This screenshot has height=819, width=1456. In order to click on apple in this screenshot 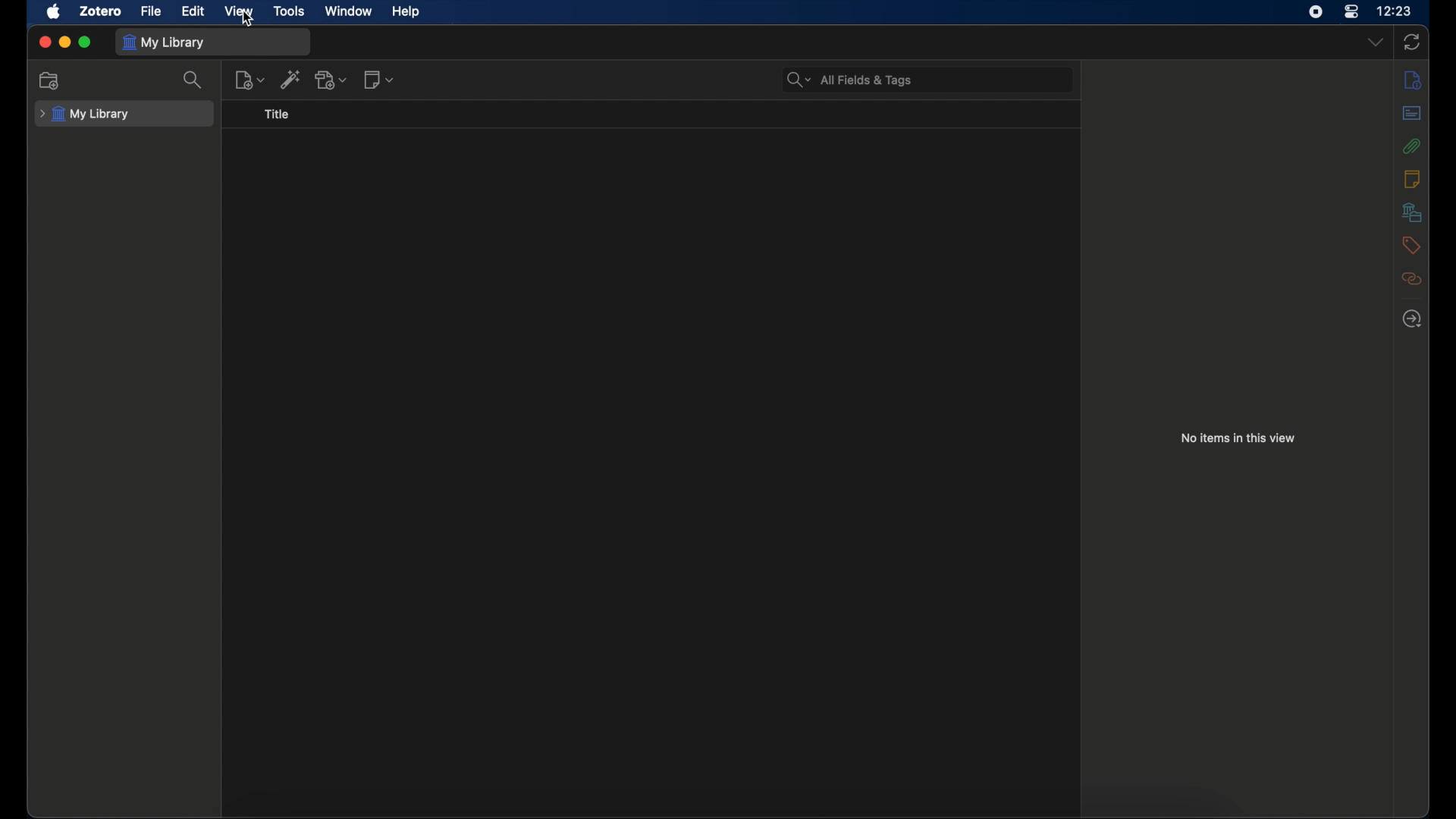, I will do `click(54, 12)`.